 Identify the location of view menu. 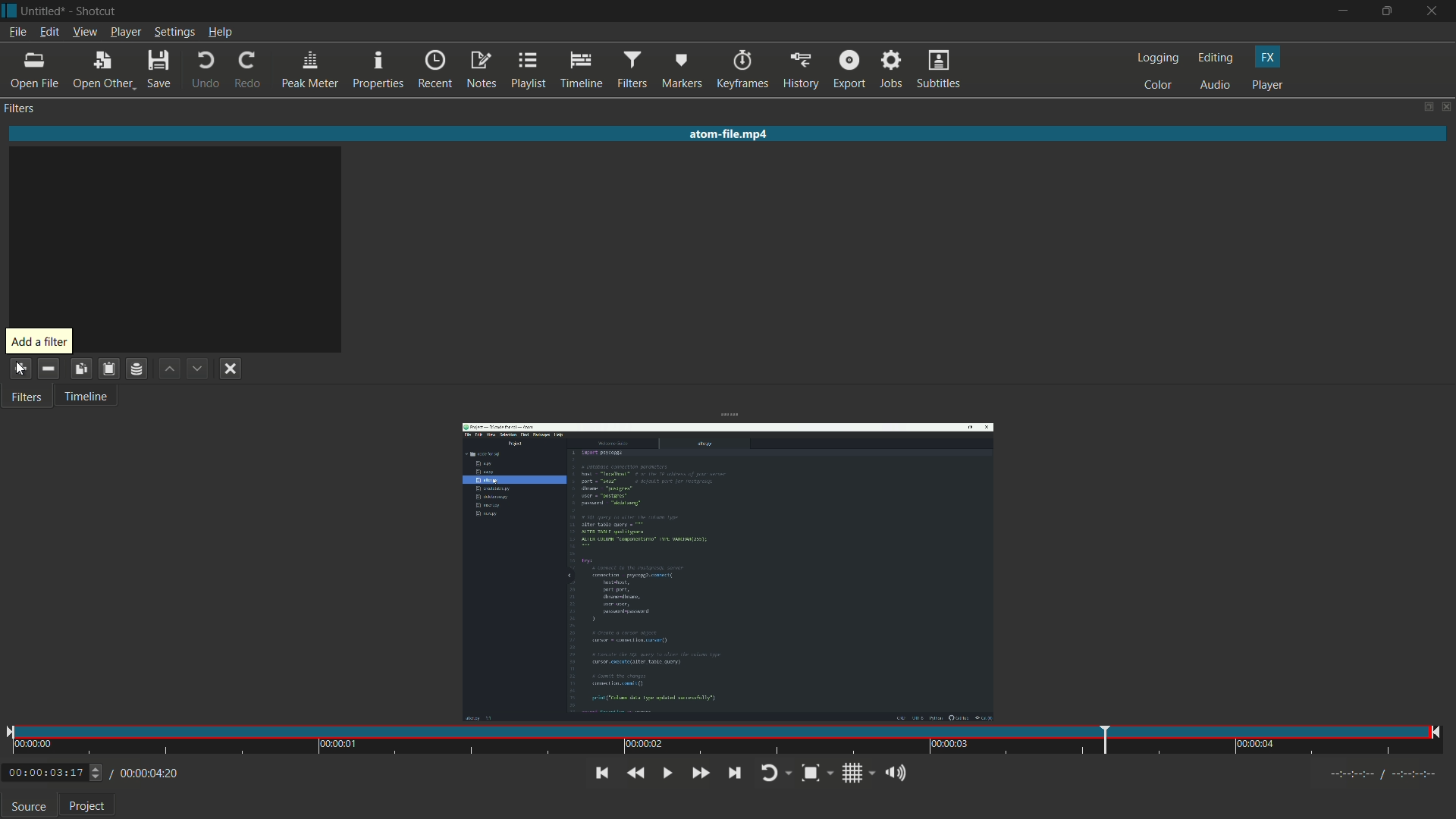
(84, 33).